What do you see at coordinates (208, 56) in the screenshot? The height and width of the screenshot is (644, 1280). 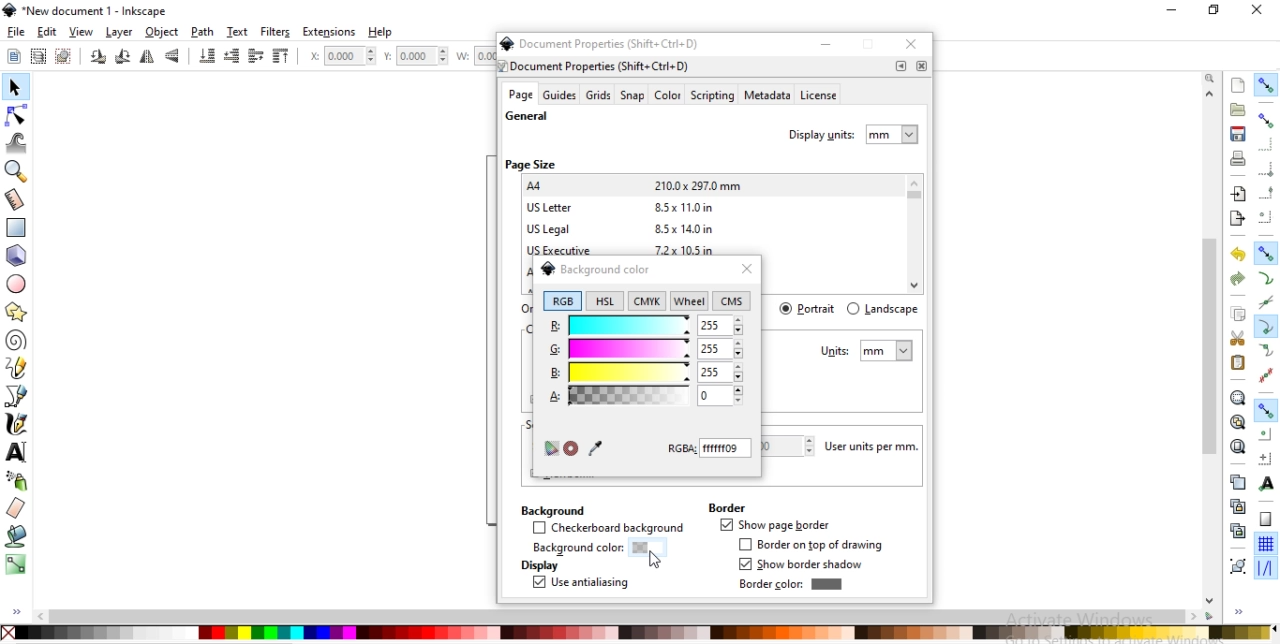 I see `lower selection to bottom` at bounding box center [208, 56].